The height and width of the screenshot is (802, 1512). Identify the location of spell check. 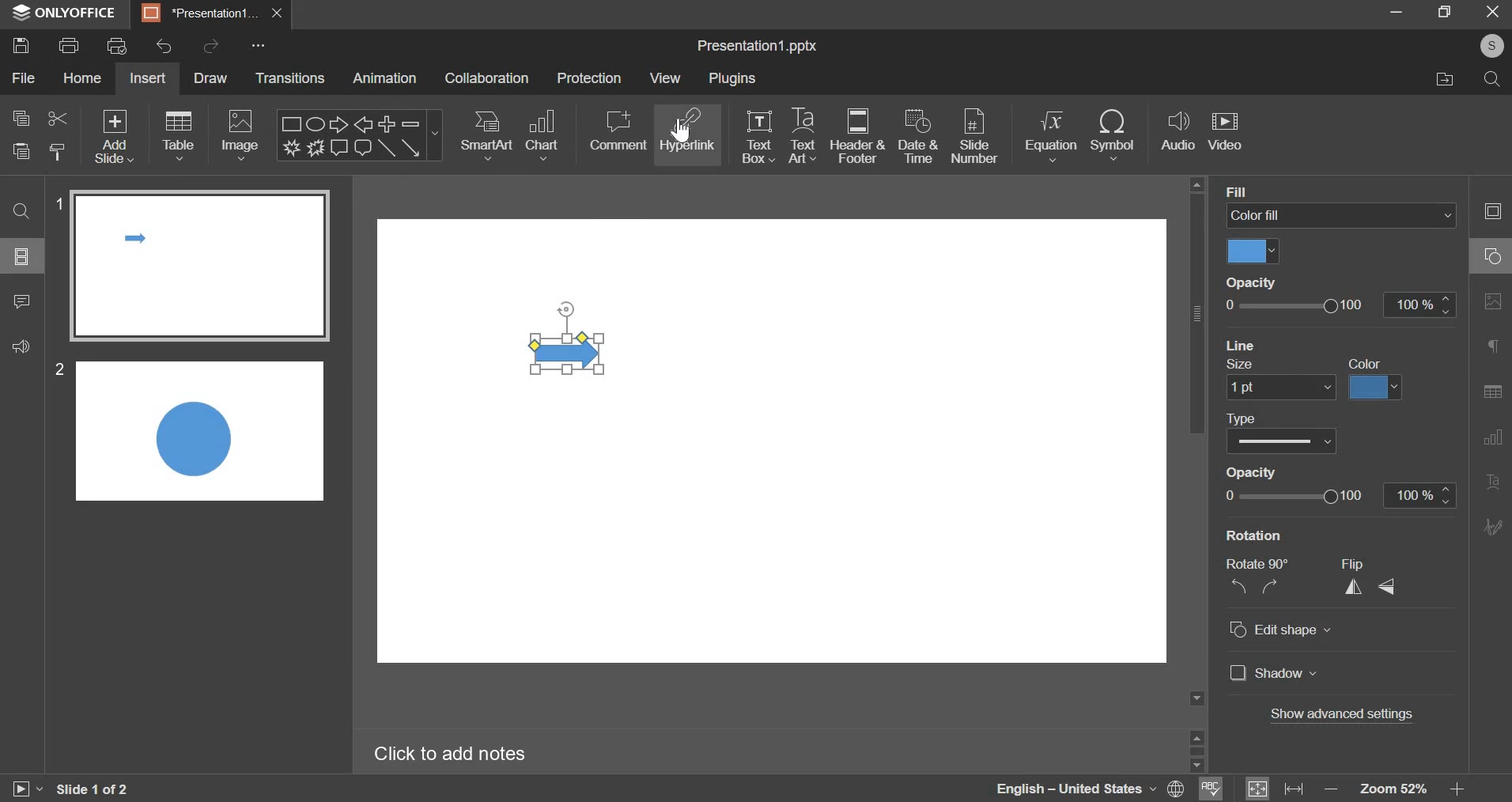
(1211, 789).